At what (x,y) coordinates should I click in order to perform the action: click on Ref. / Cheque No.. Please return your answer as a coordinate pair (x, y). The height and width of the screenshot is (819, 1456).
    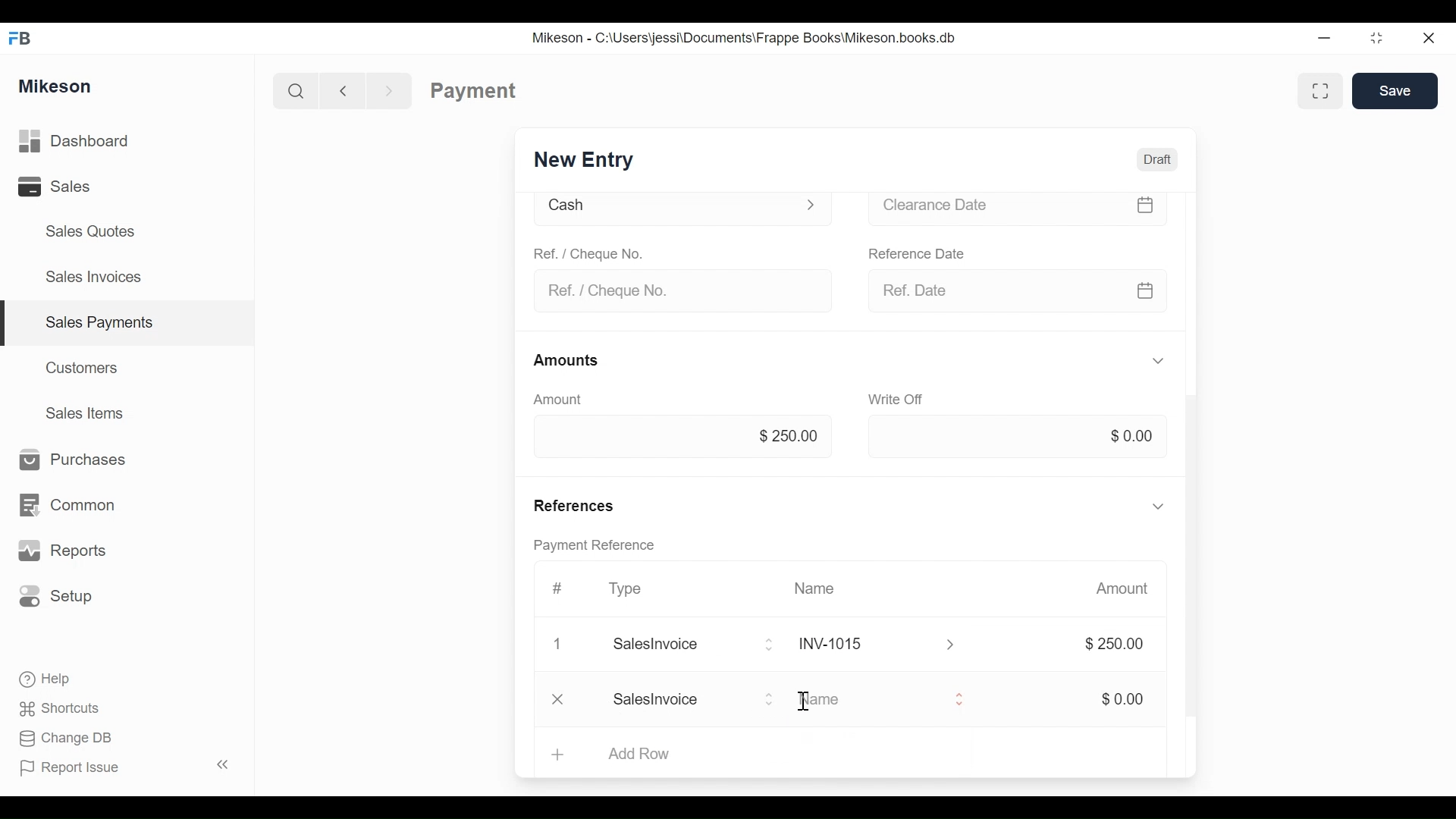
    Looking at the image, I should click on (678, 290).